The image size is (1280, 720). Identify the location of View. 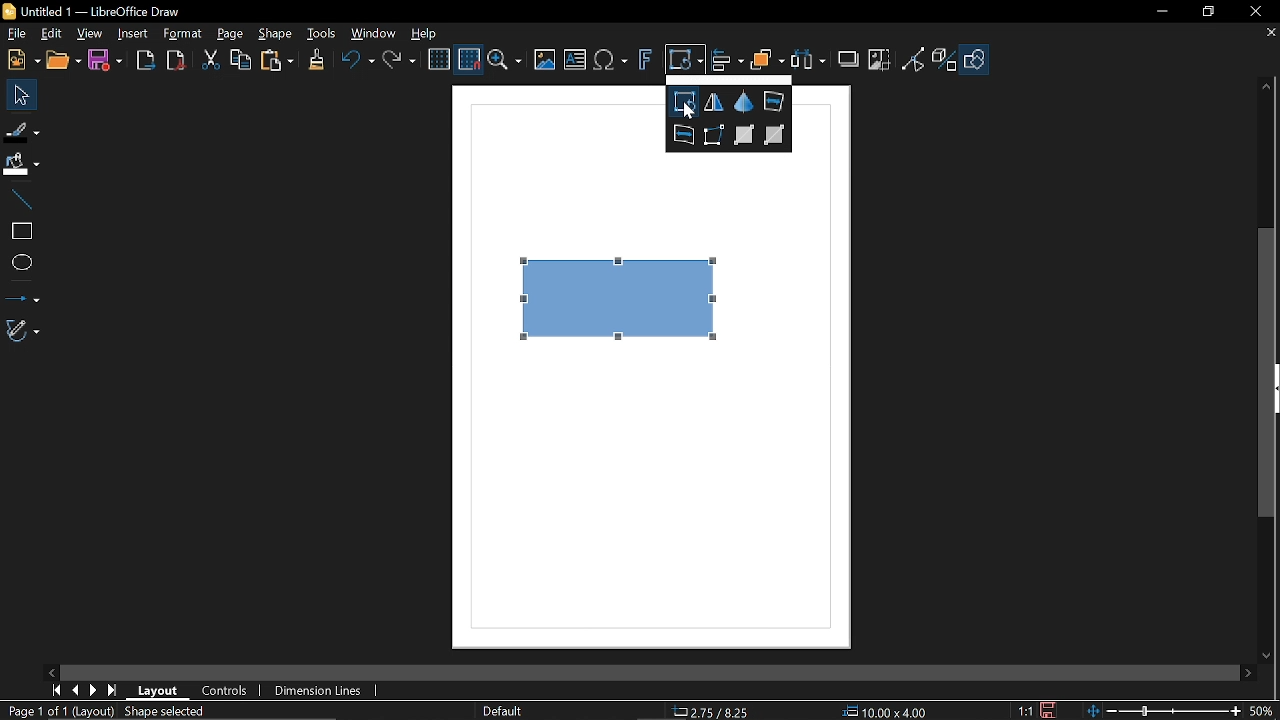
(87, 33).